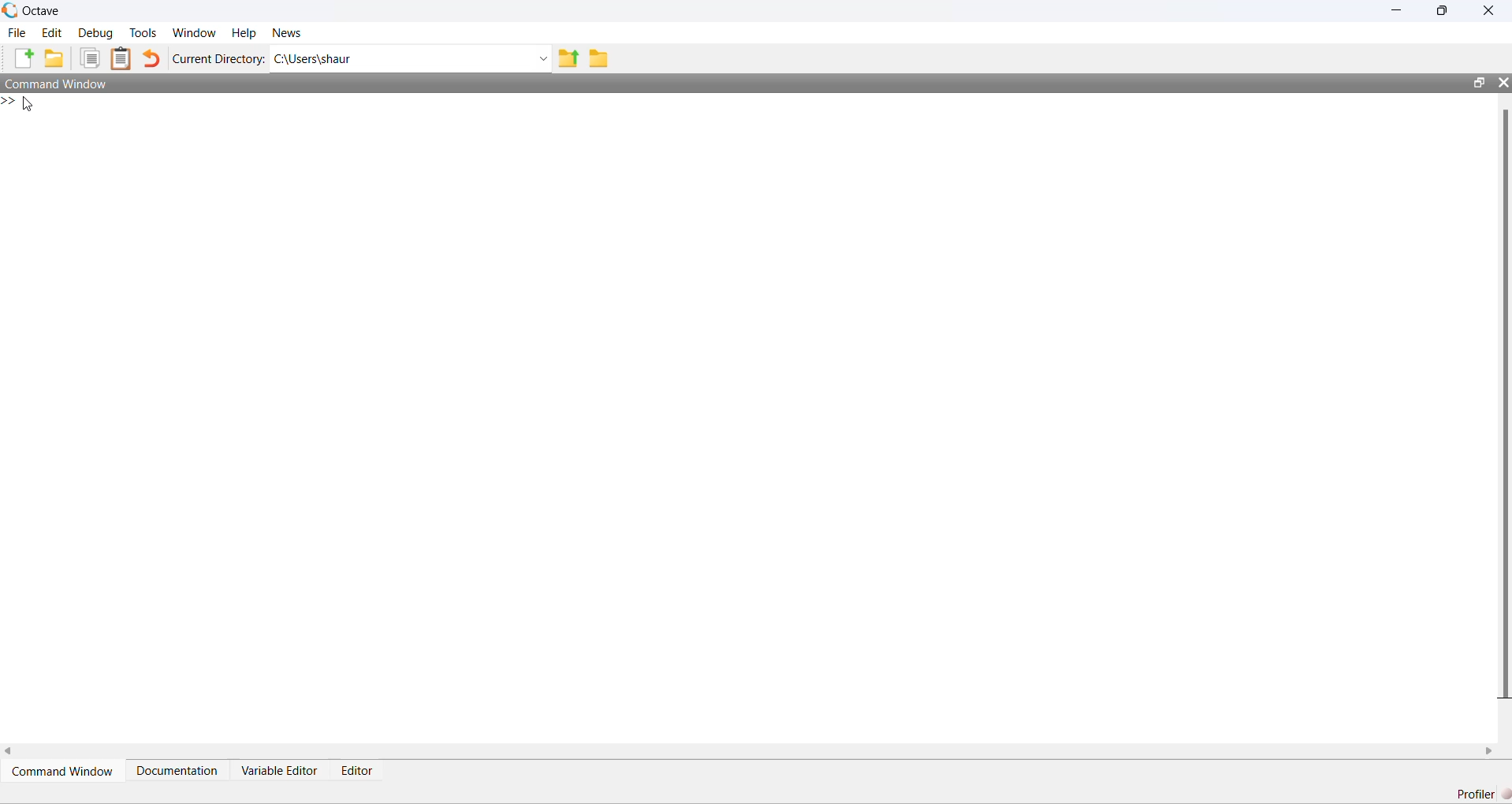 This screenshot has width=1512, height=804. I want to click on close, so click(1488, 9).